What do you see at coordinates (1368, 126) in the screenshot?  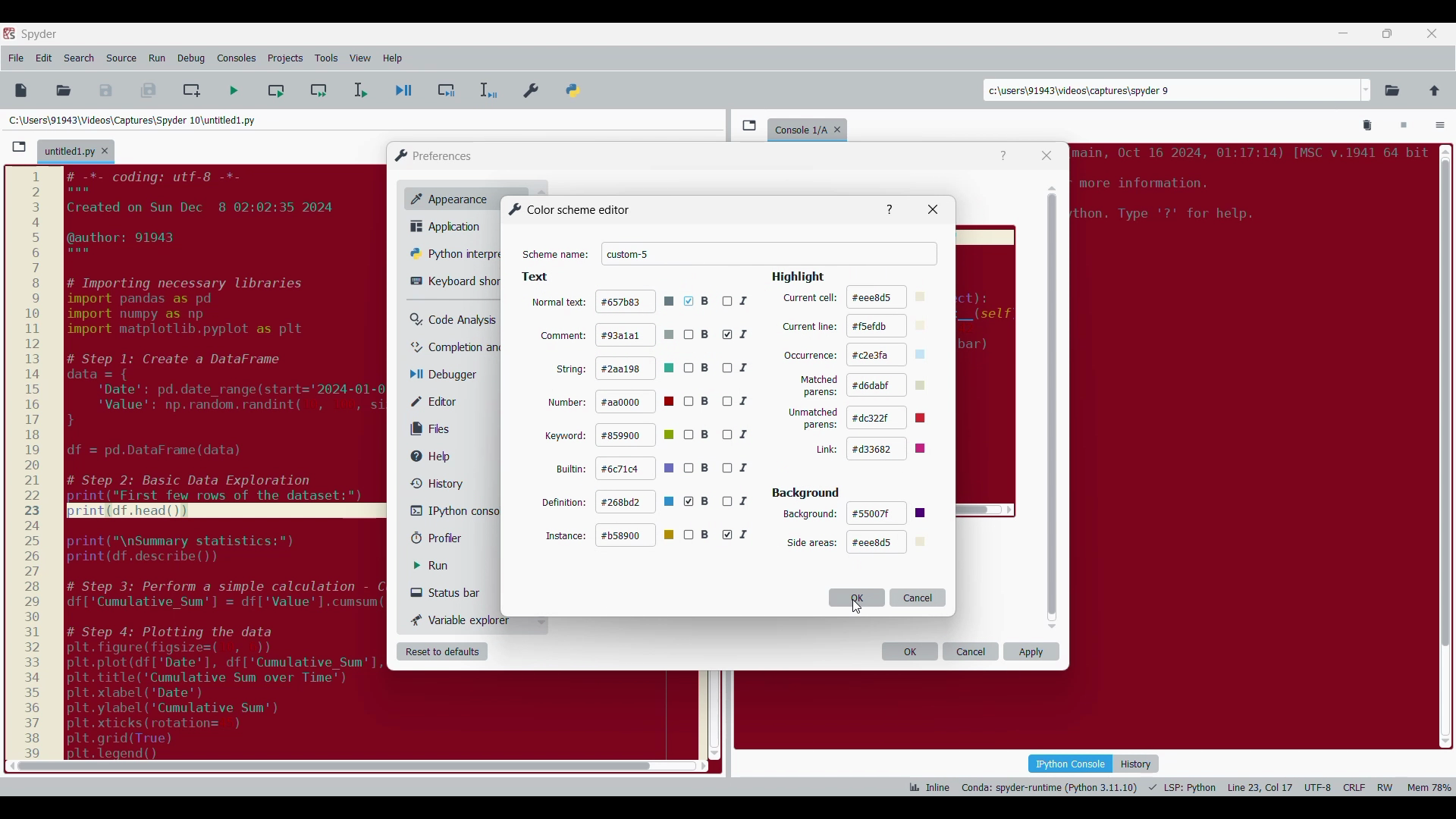 I see `Remove all variables from namespace` at bounding box center [1368, 126].